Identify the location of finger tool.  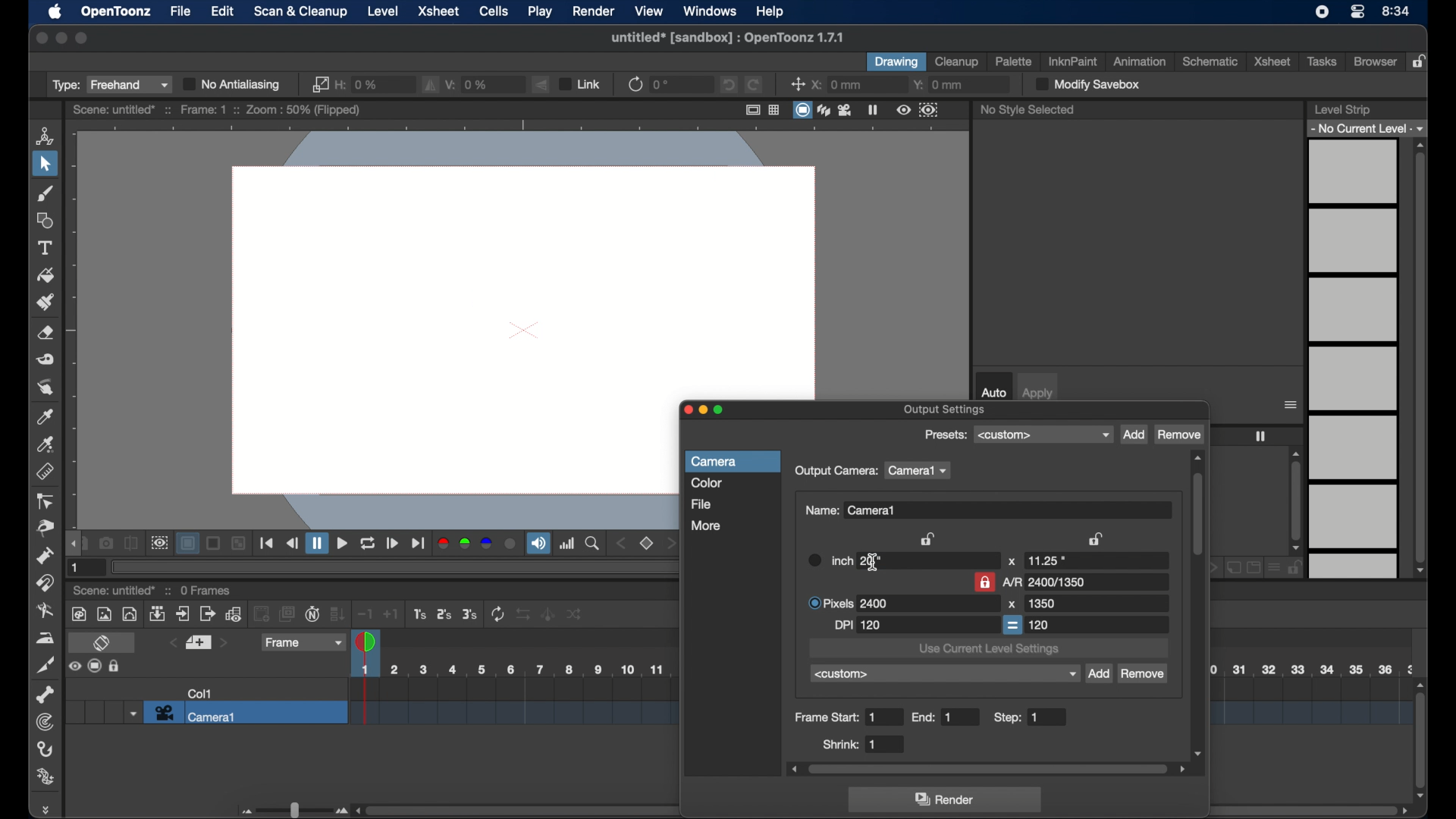
(45, 388).